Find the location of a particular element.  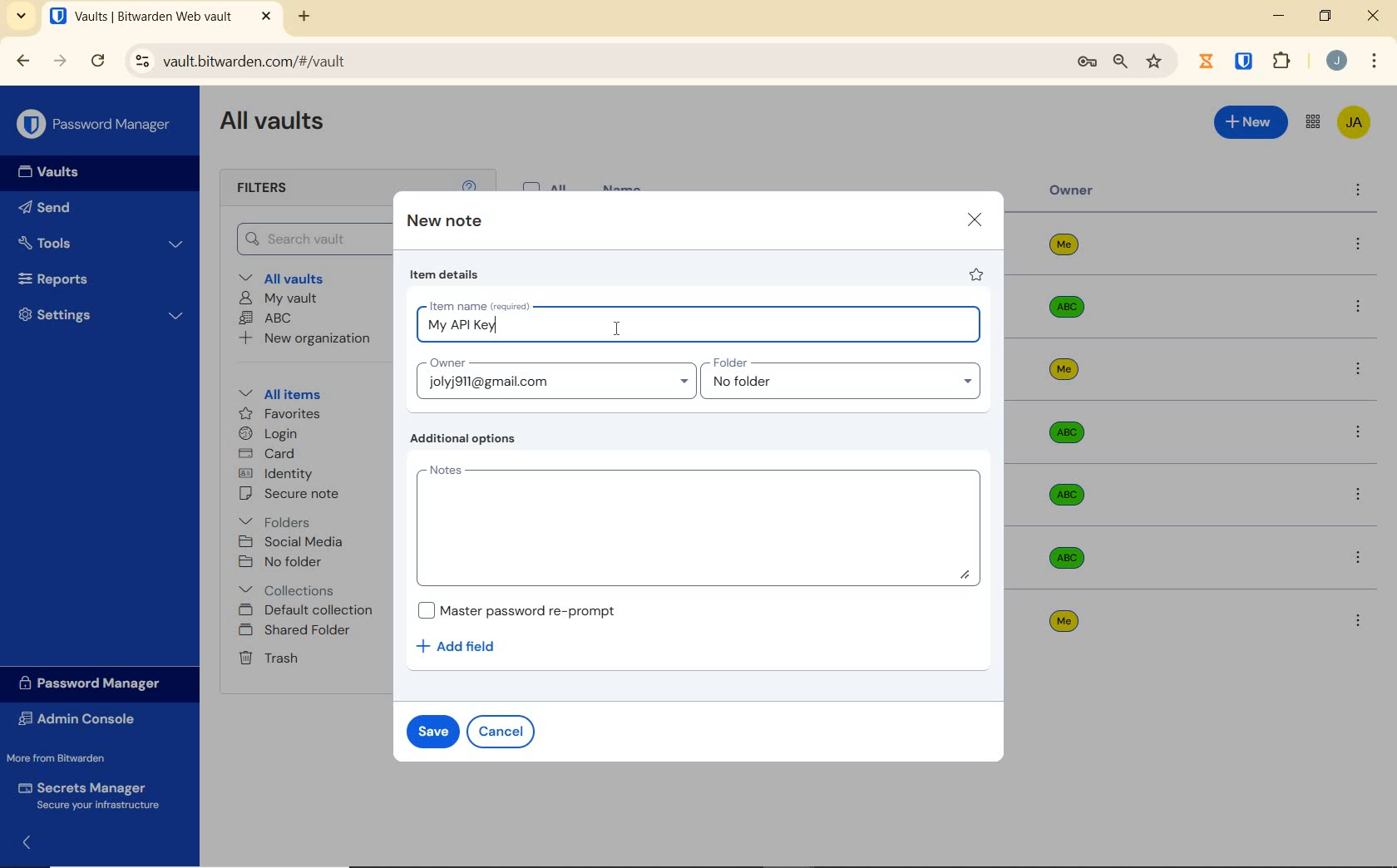

identity is located at coordinates (279, 474).